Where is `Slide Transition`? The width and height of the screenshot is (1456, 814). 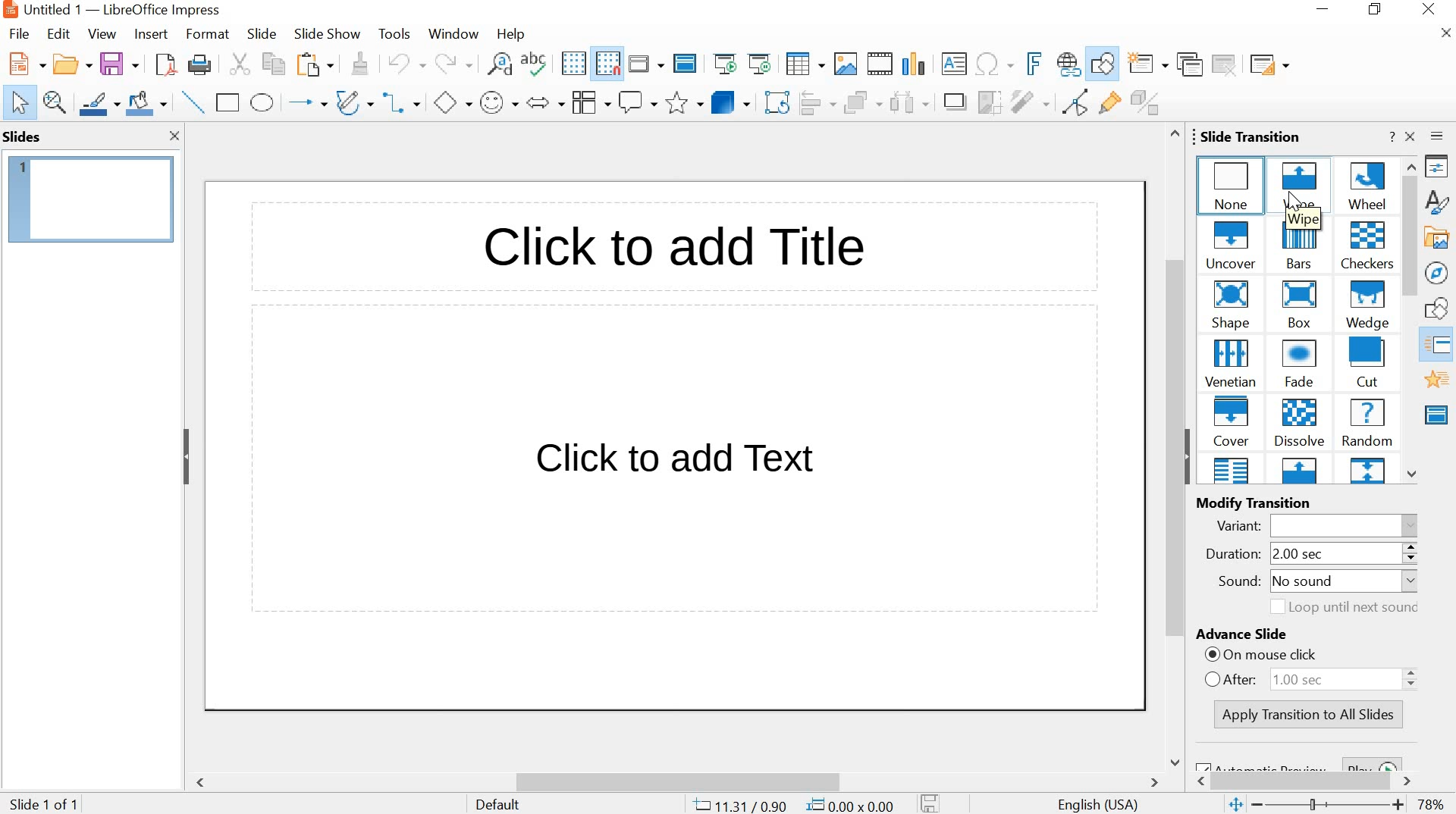 Slide Transition is located at coordinates (1442, 346).